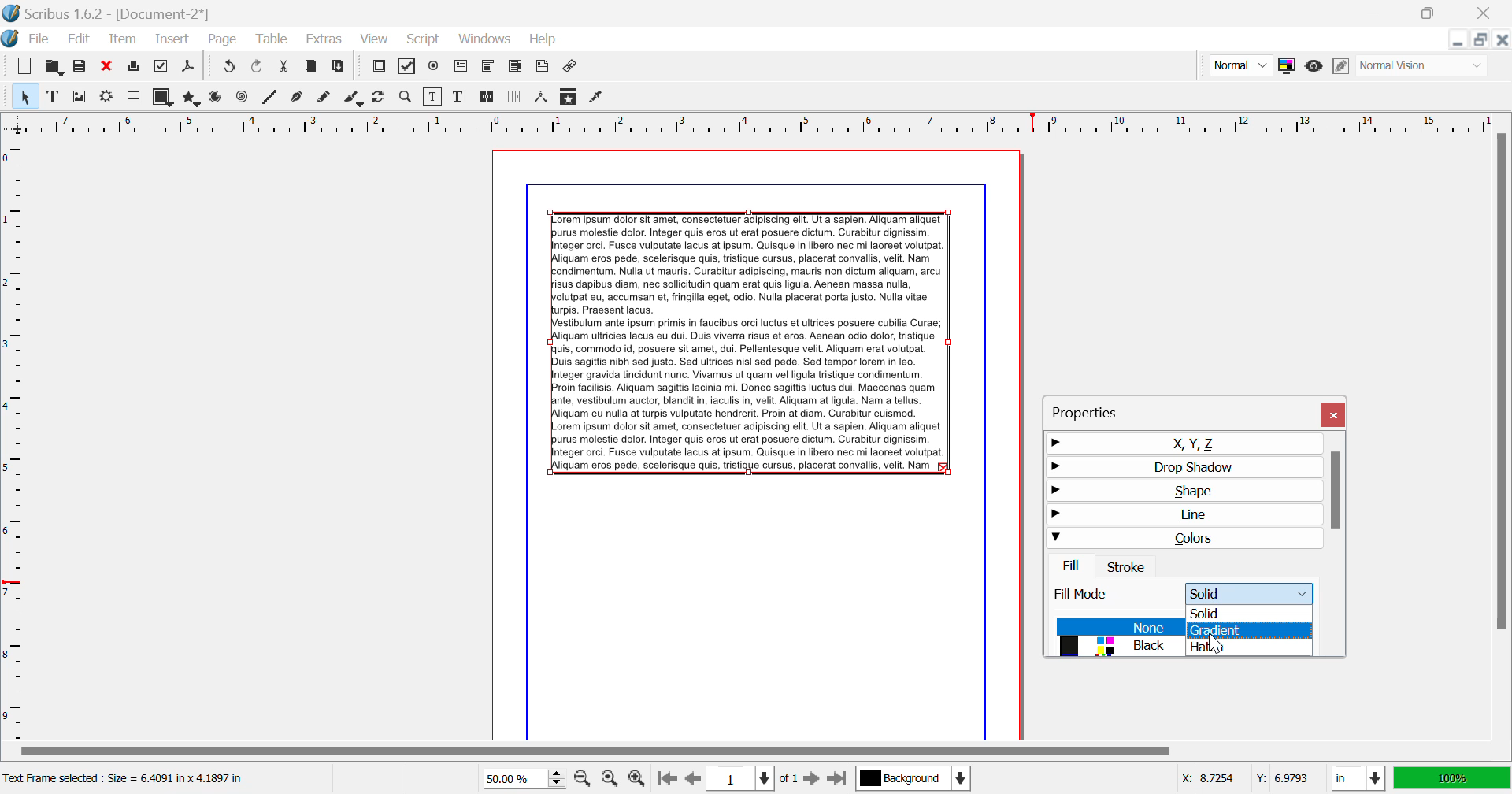 This screenshot has width=1512, height=794. What do you see at coordinates (285, 68) in the screenshot?
I see `Cut` at bounding box center [285, 68].